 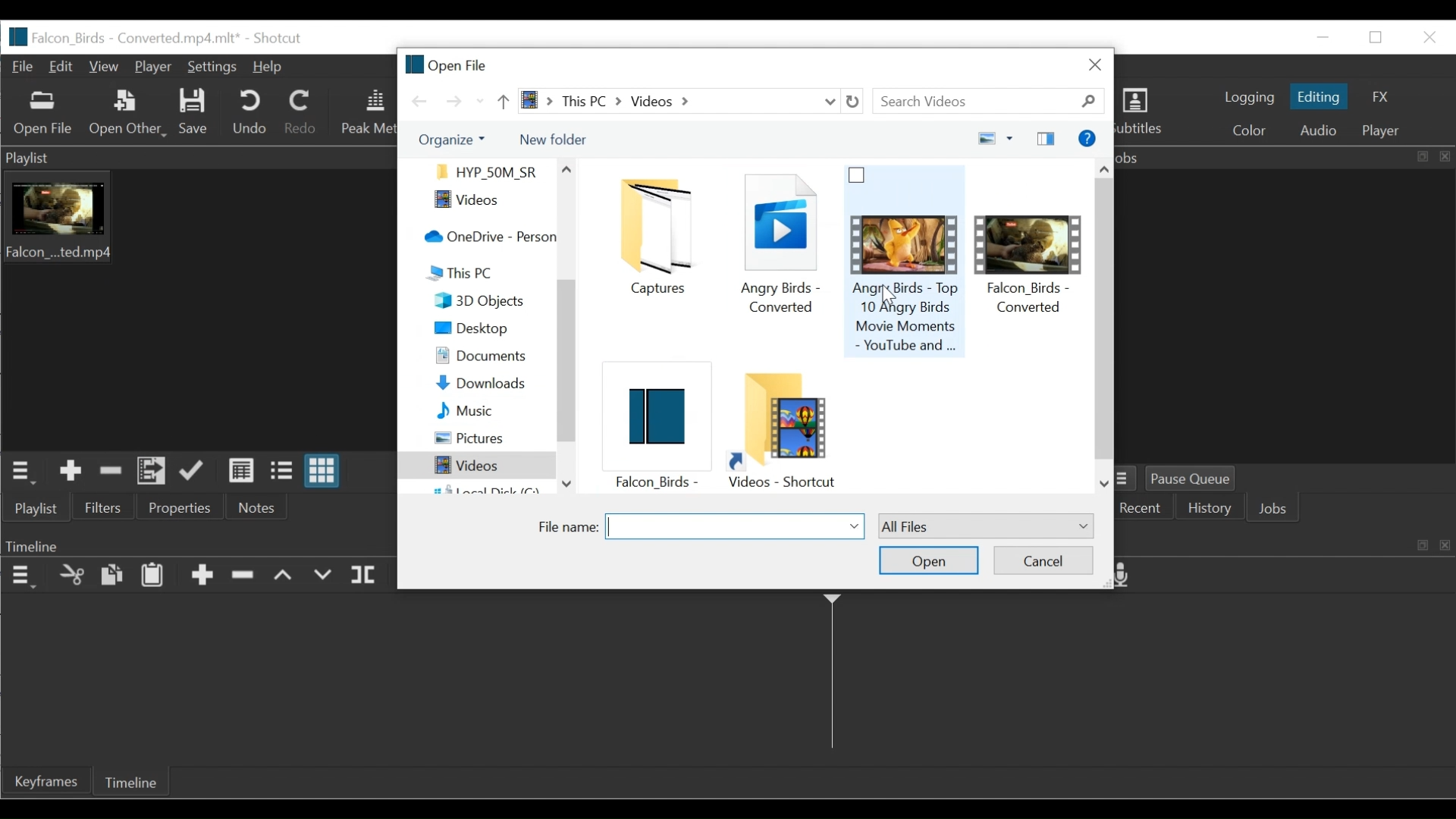 What do you see at coordinates (153, 67) in the screenshot?
I see `Player` at bounding box center [153, 67].